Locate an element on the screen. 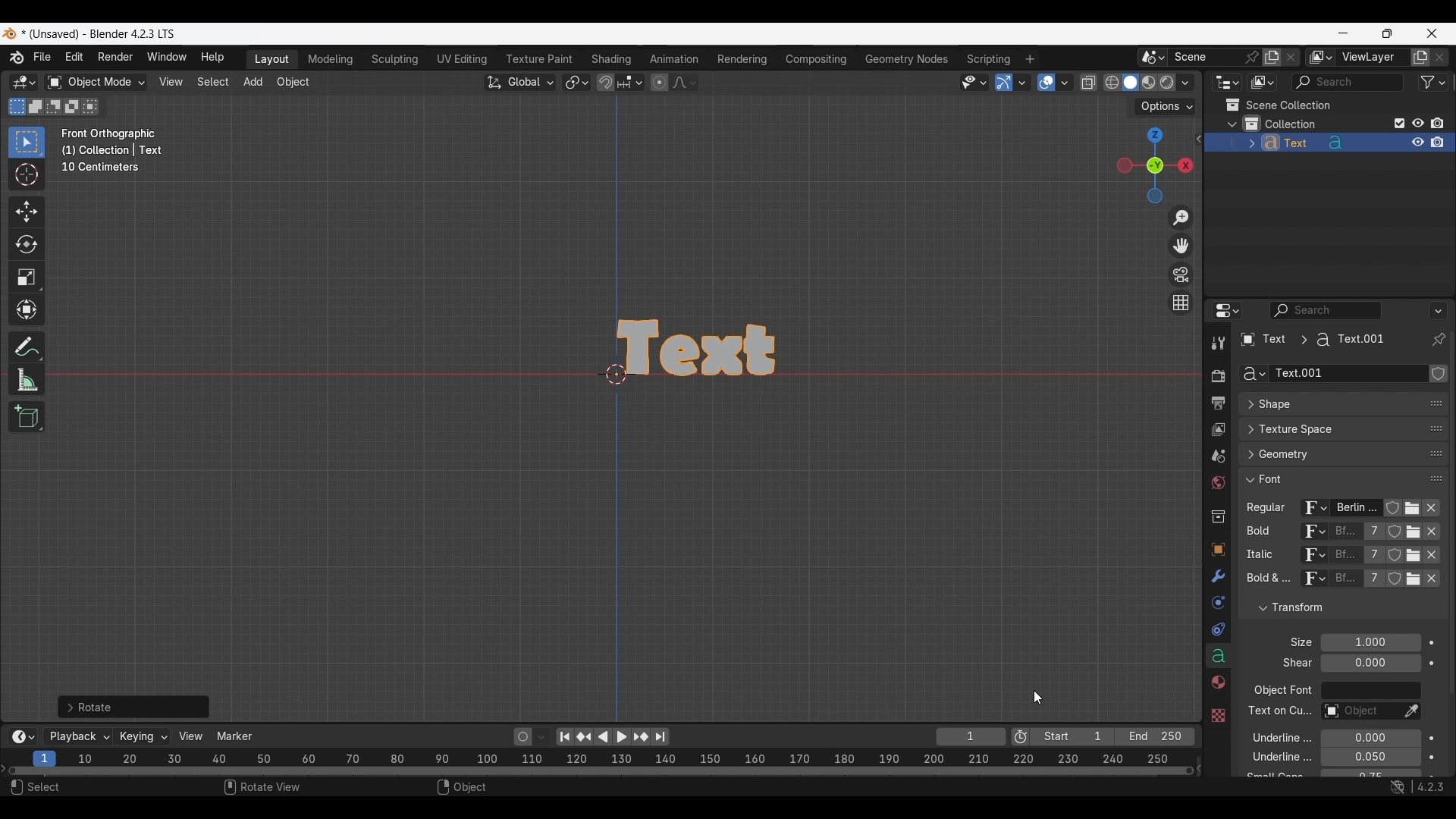 Image resolution: width=1456 pixels, height=819 pixels. Render menu is located at coordinates (115, 58).